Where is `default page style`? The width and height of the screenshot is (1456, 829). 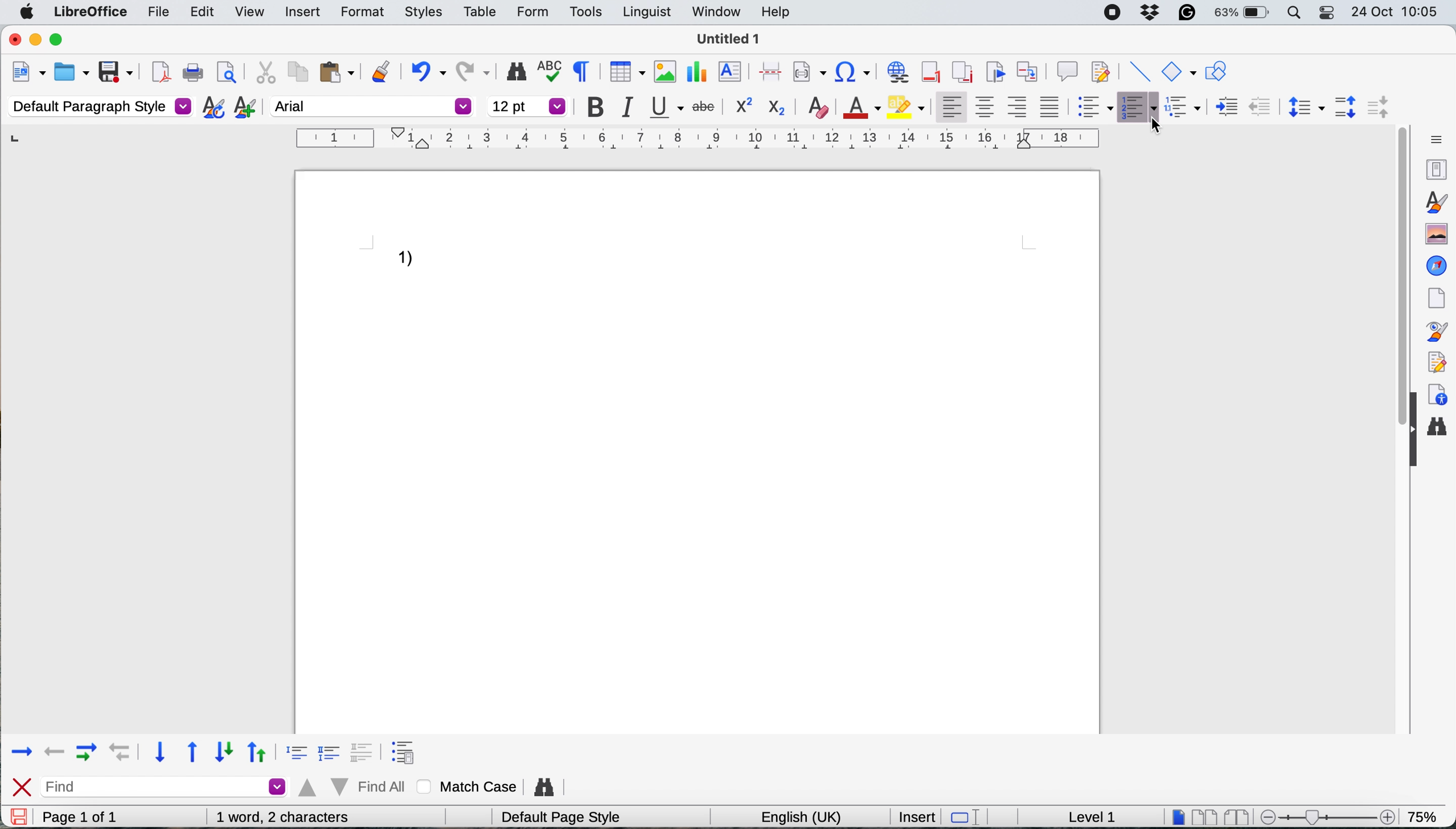
default page style is located at coordinates (567, 818).